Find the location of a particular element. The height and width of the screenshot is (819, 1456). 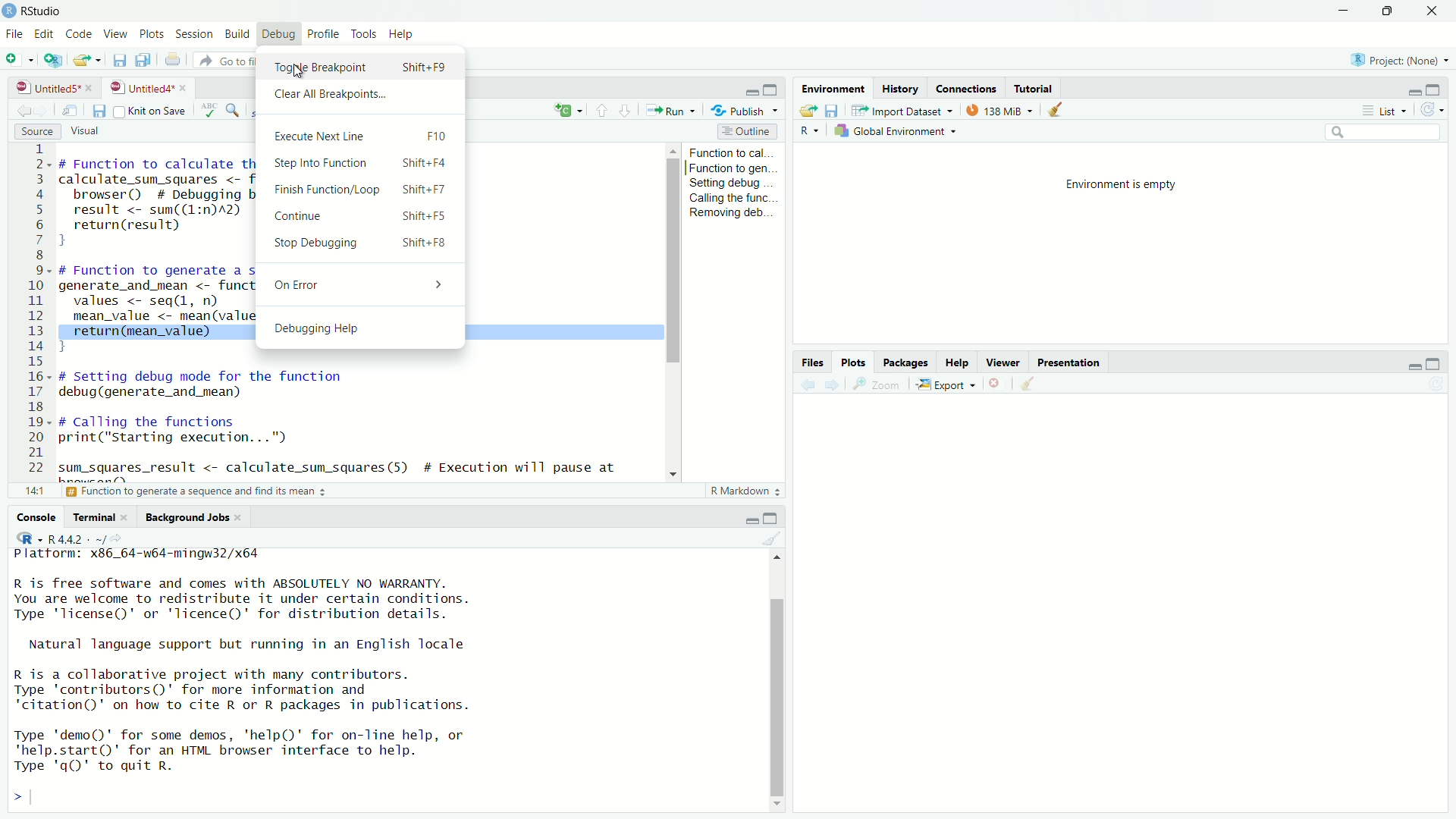

packages is located at coordinates (908, 362).